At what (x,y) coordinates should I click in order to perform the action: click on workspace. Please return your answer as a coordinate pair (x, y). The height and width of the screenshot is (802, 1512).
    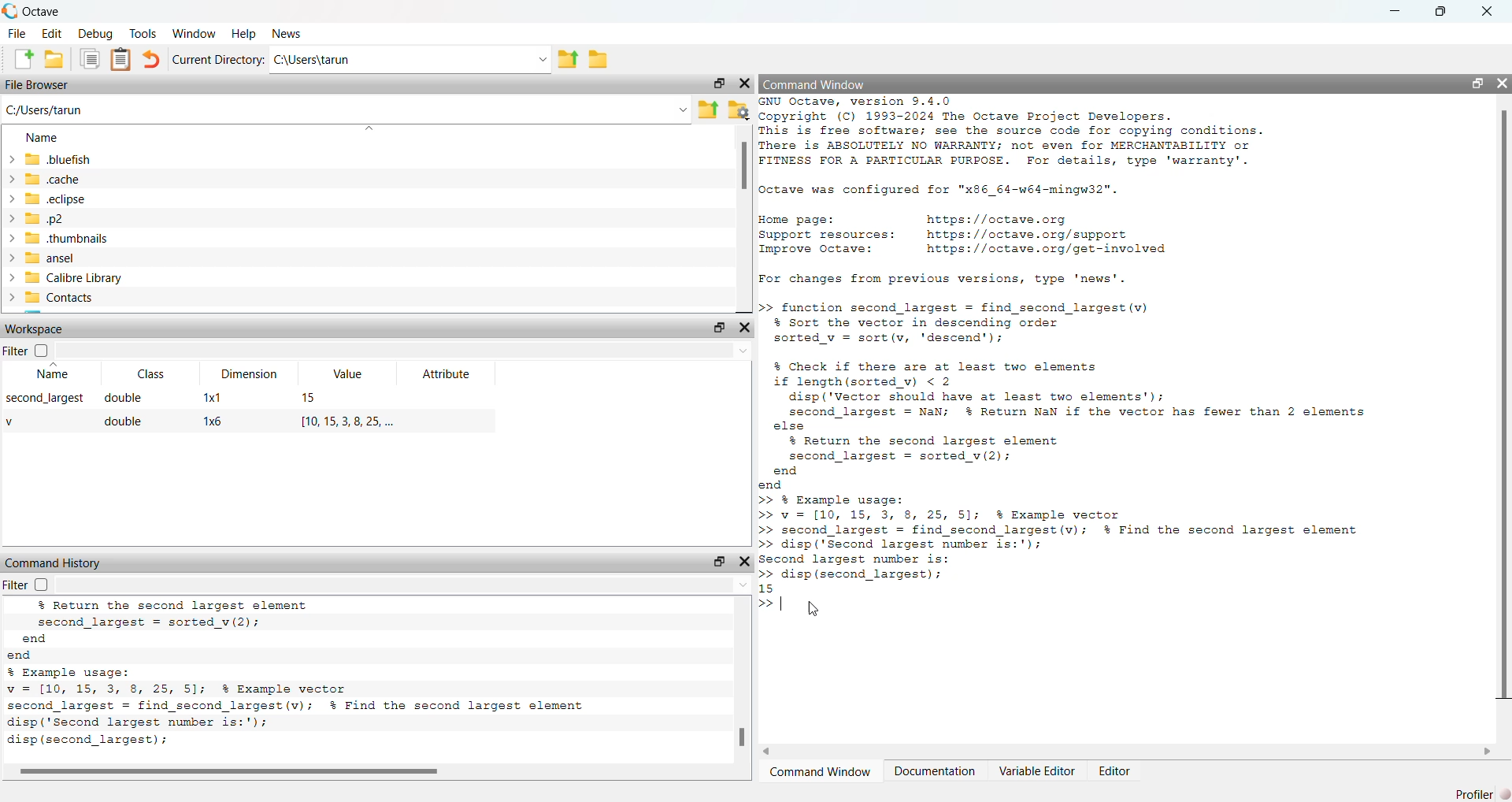
    Looking at the image, I should click on (42, 329).